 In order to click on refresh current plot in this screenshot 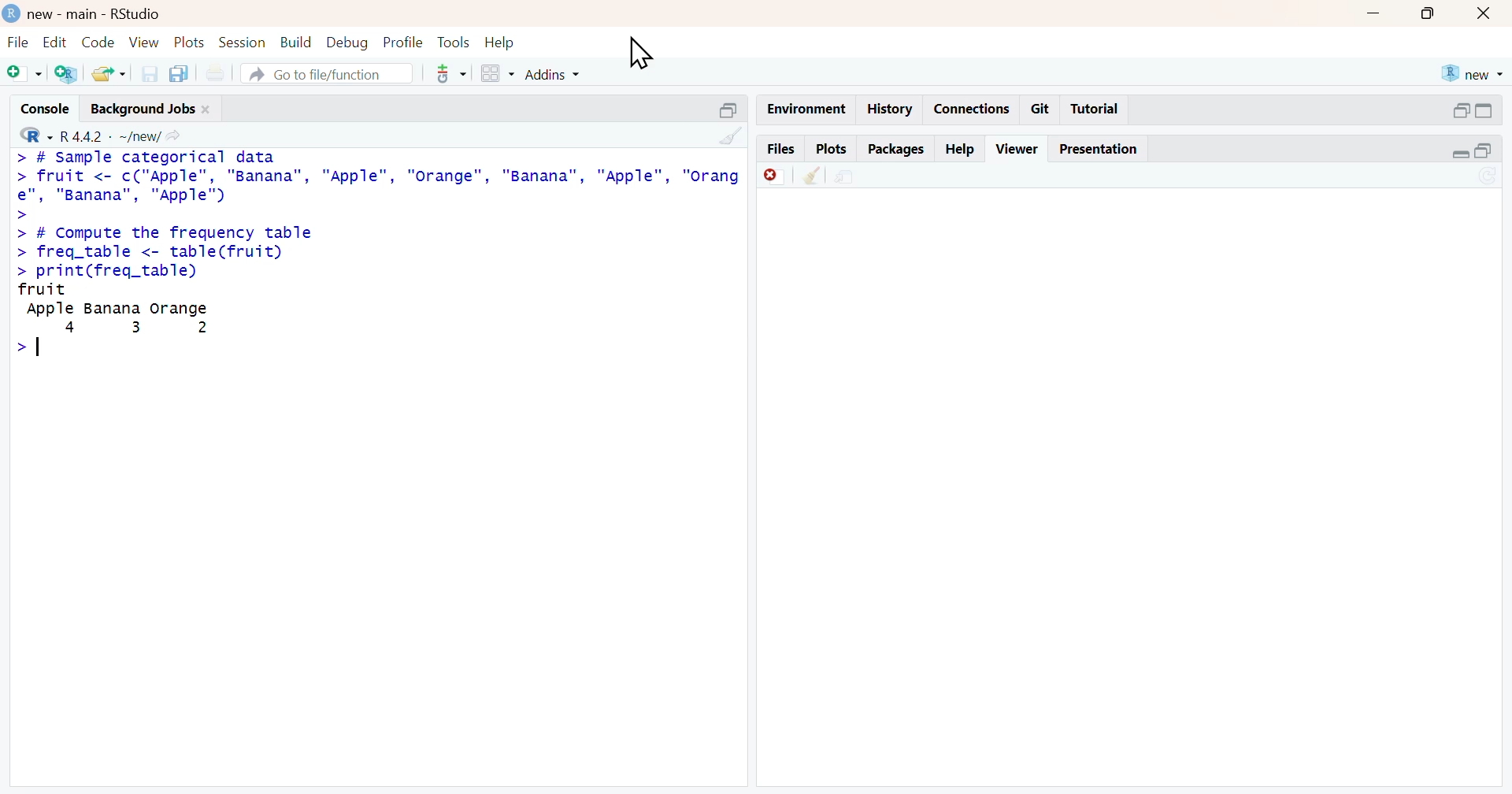, I will do `click(1490, 176)`.